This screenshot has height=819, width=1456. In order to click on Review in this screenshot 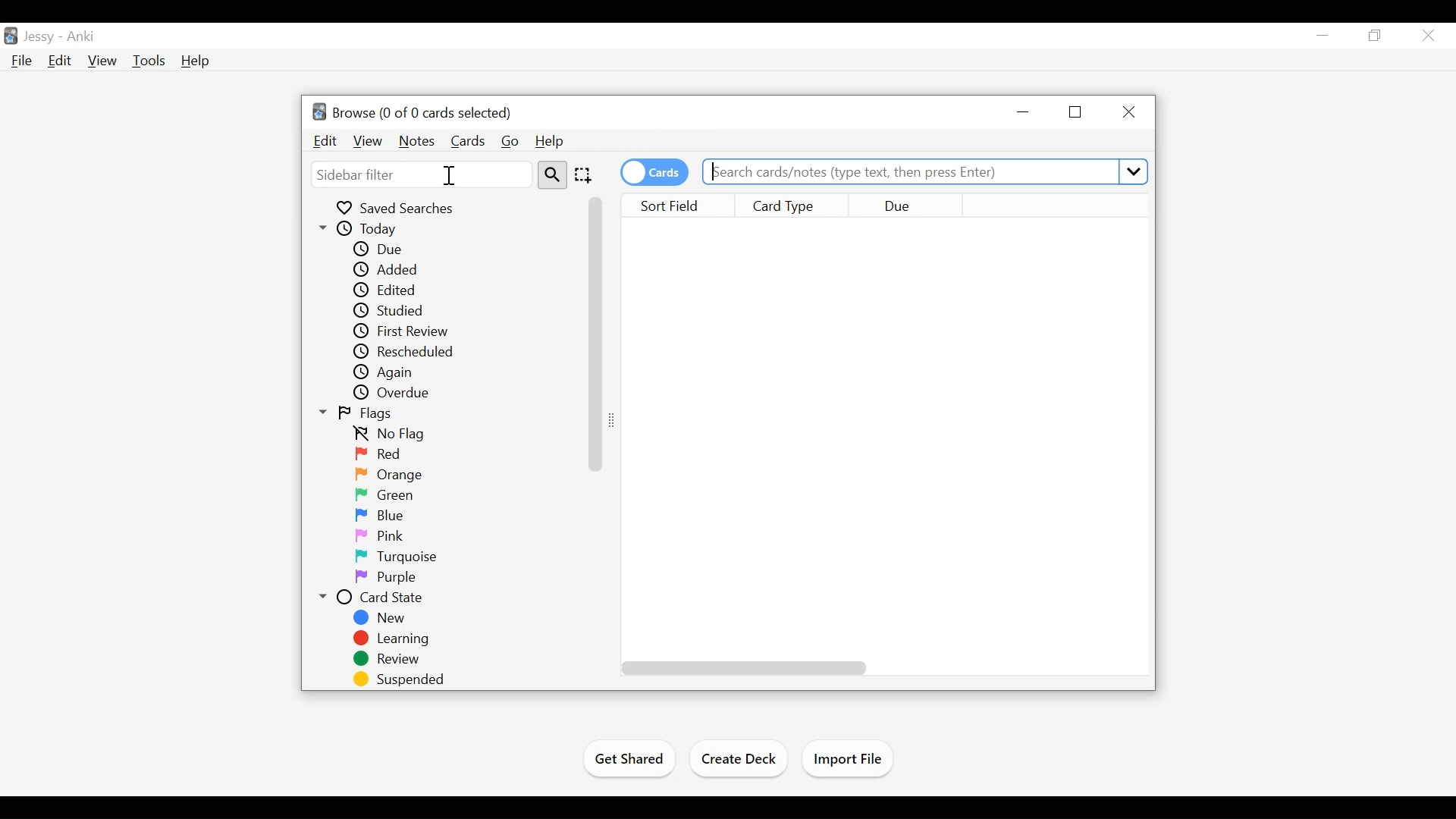, I will do `click(388, 660)`.